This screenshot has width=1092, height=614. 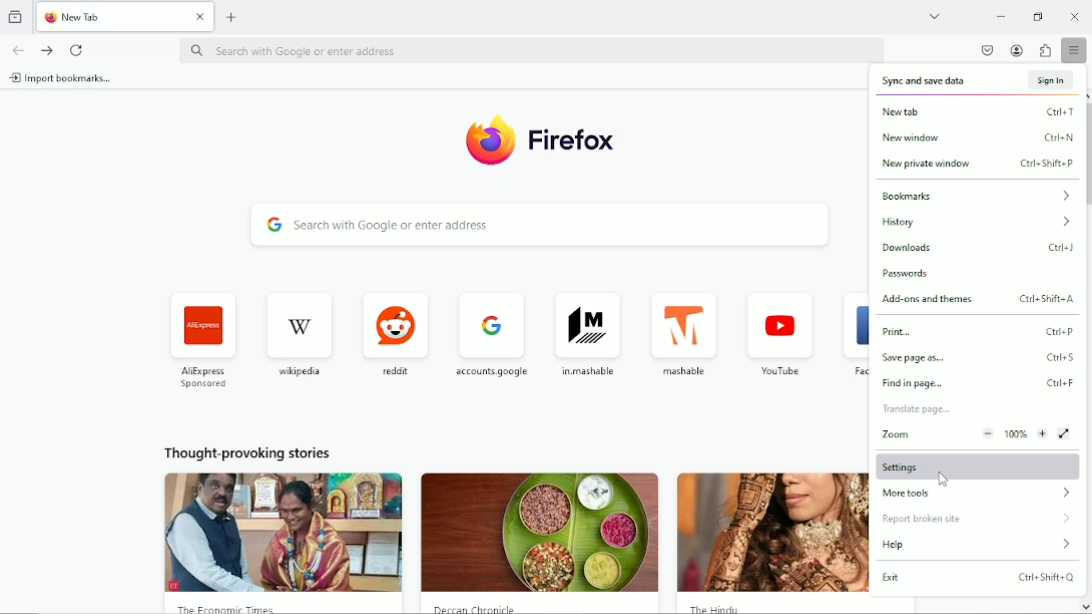 I want to click on thought provoking stories, so click(x=250, y=452).